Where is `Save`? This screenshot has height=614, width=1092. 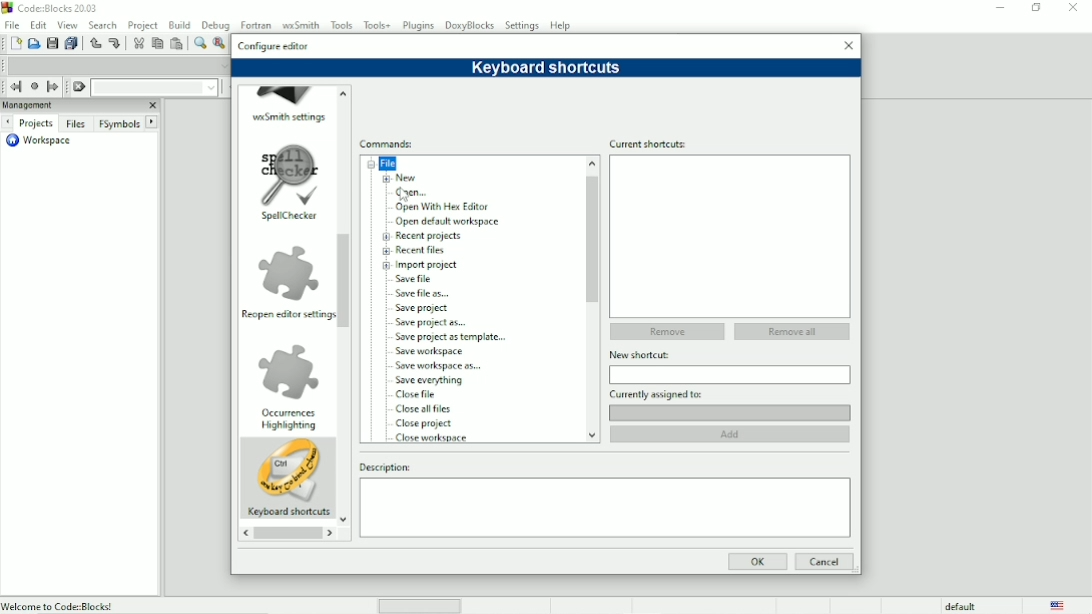
Save is located at coordinates (51, 43).